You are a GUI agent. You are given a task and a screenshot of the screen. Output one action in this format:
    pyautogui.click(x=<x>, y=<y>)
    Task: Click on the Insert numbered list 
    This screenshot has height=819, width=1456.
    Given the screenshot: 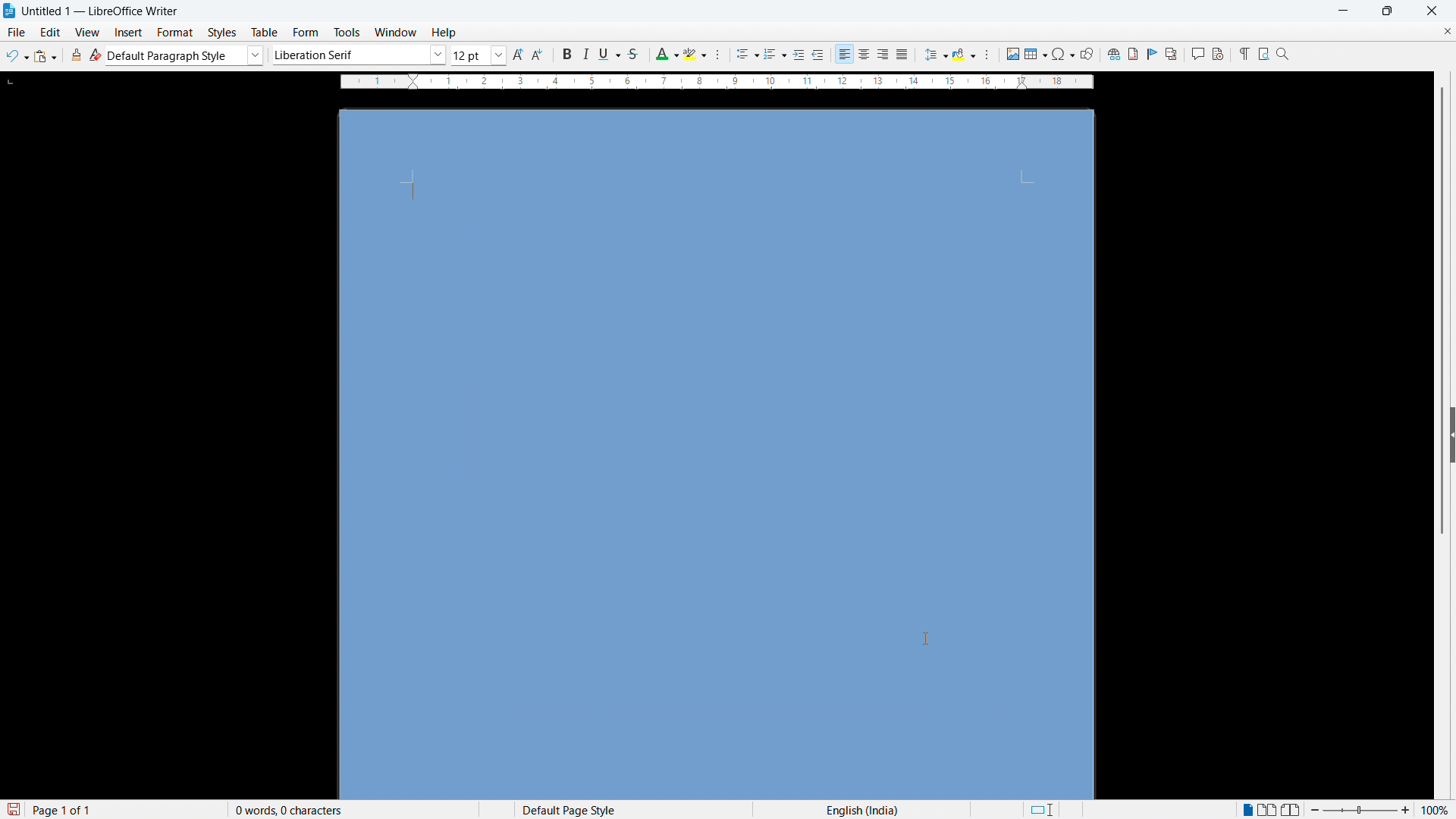 What is the action you would take?
    pyautogui.click(x=775, y=55)
    